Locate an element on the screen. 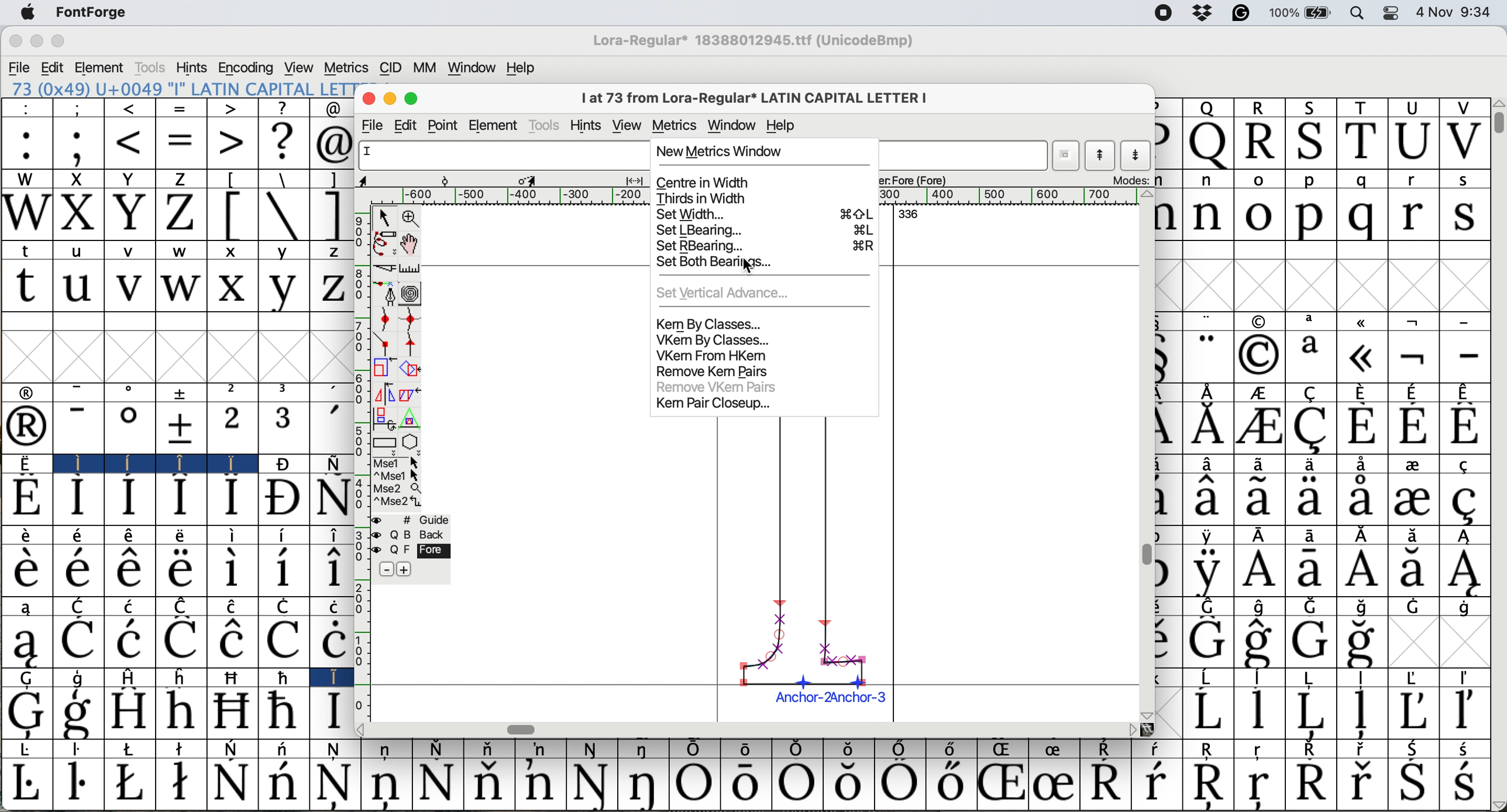  Symbol is located at coordinates (180, 427).